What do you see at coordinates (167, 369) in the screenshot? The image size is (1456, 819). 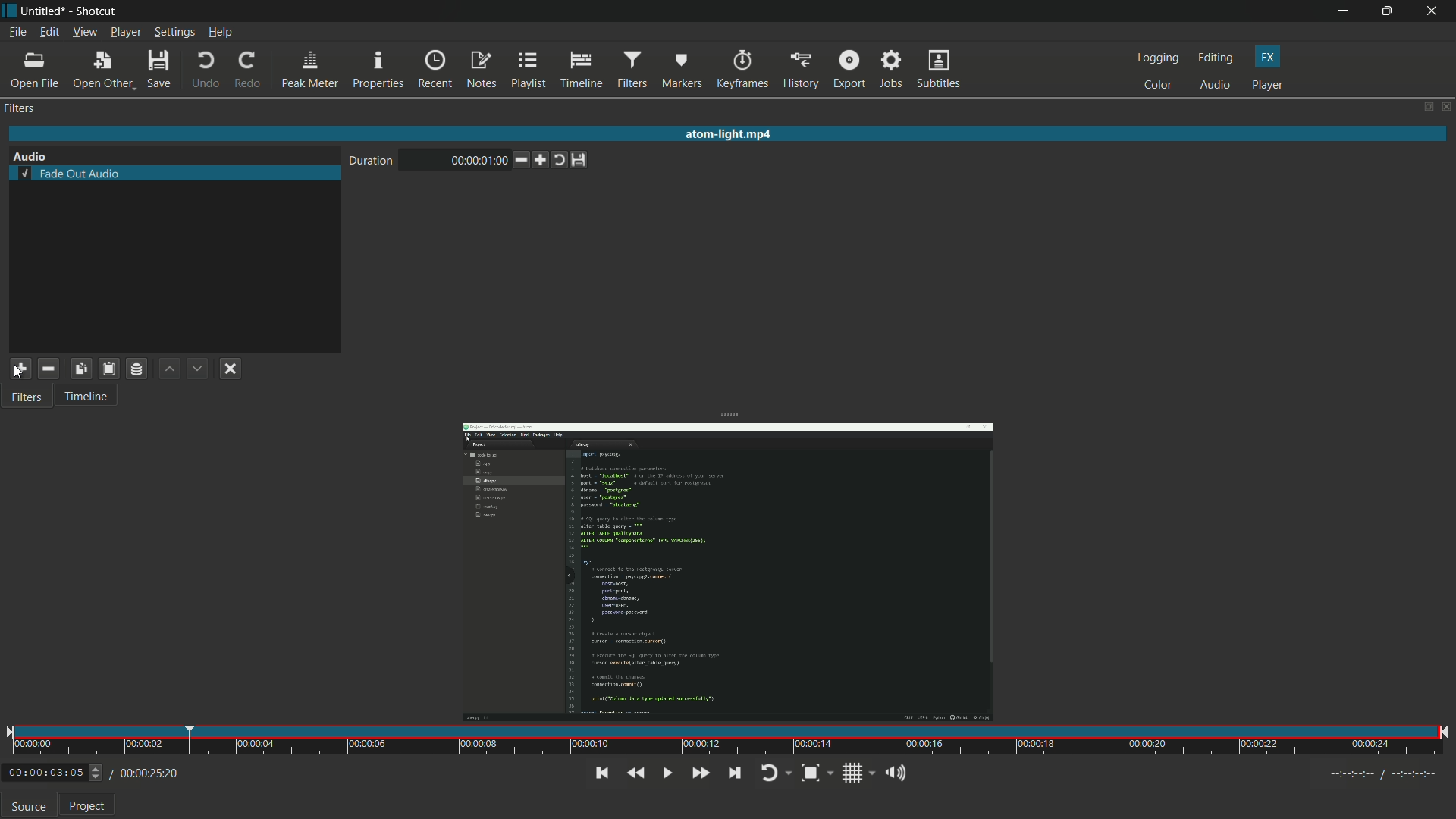 I see `move filter up` at bounding box center [167, 369].